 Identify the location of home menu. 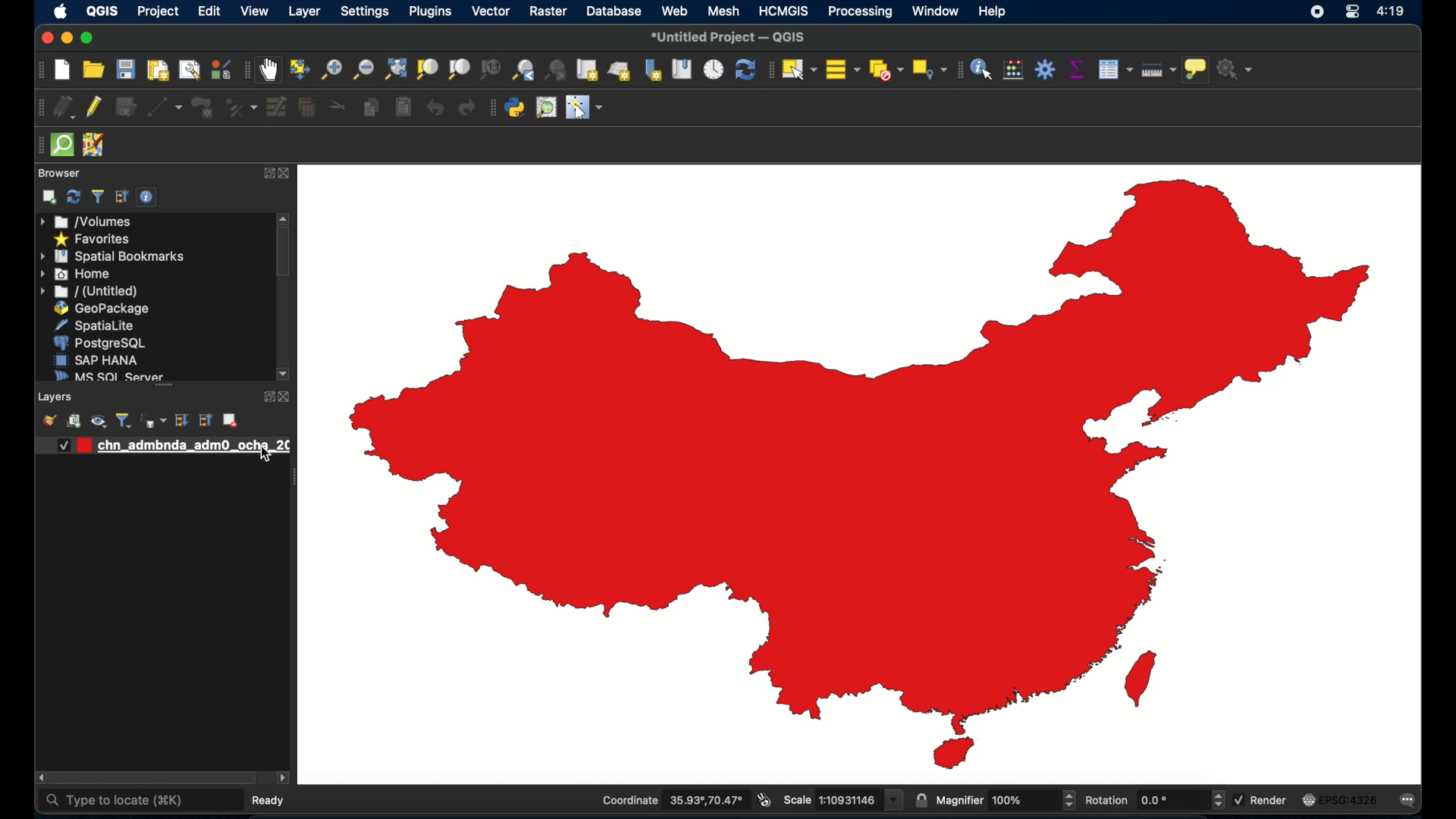
(77, 275).